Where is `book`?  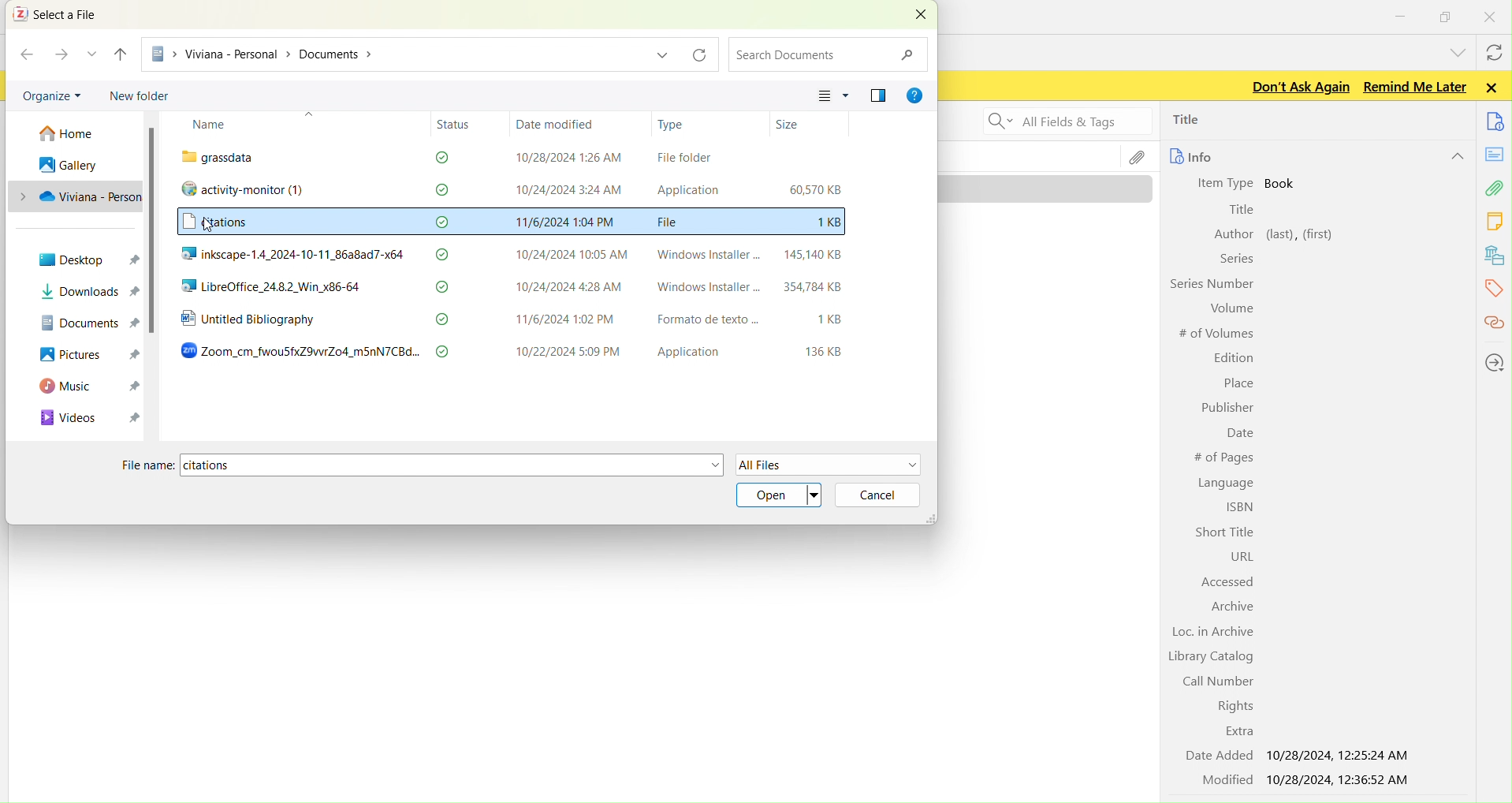
book is located at coordinates (1289, 184).